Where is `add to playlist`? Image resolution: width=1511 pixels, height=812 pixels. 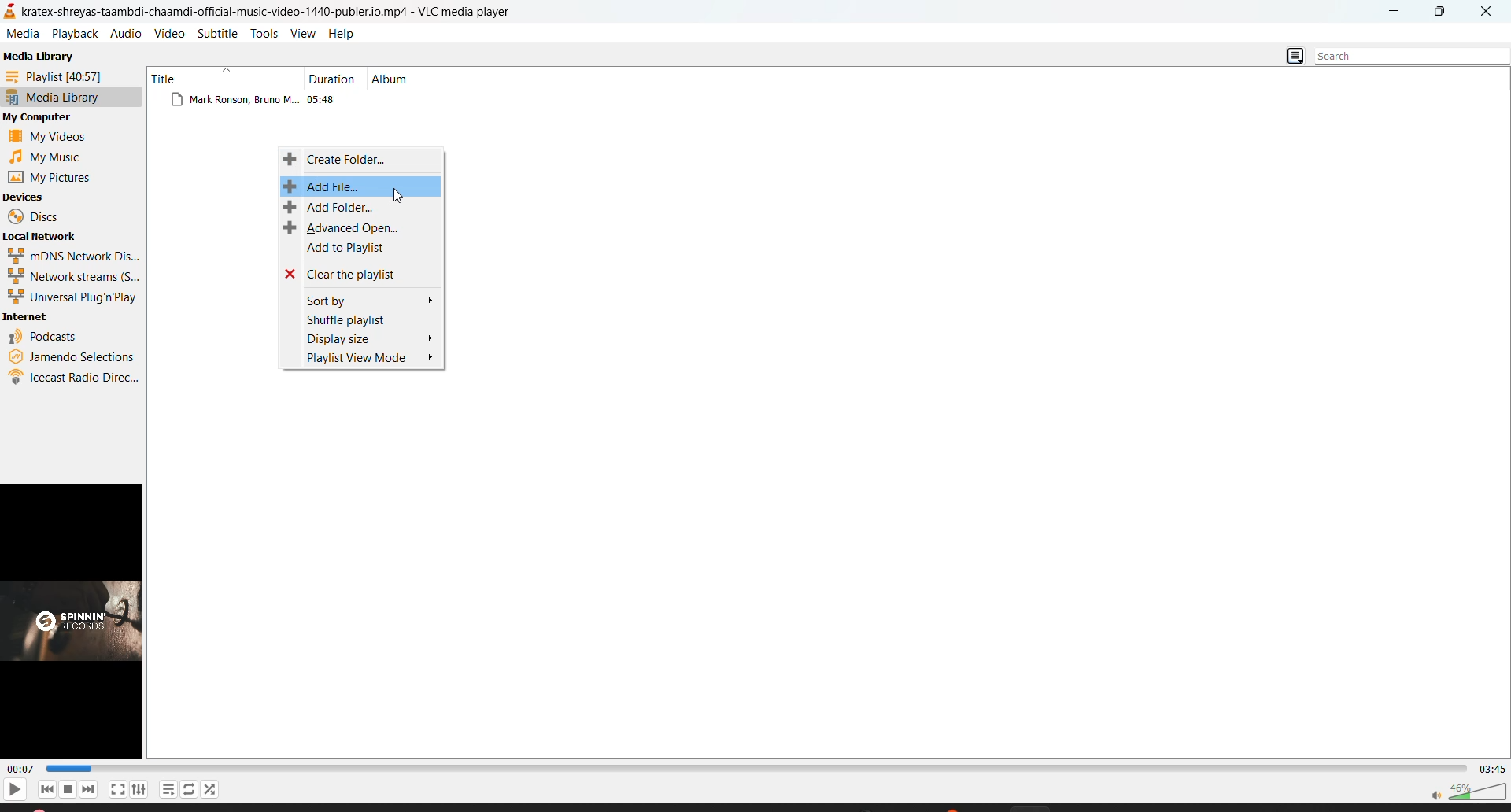
add to playlist is located at coordinates (347, 247).